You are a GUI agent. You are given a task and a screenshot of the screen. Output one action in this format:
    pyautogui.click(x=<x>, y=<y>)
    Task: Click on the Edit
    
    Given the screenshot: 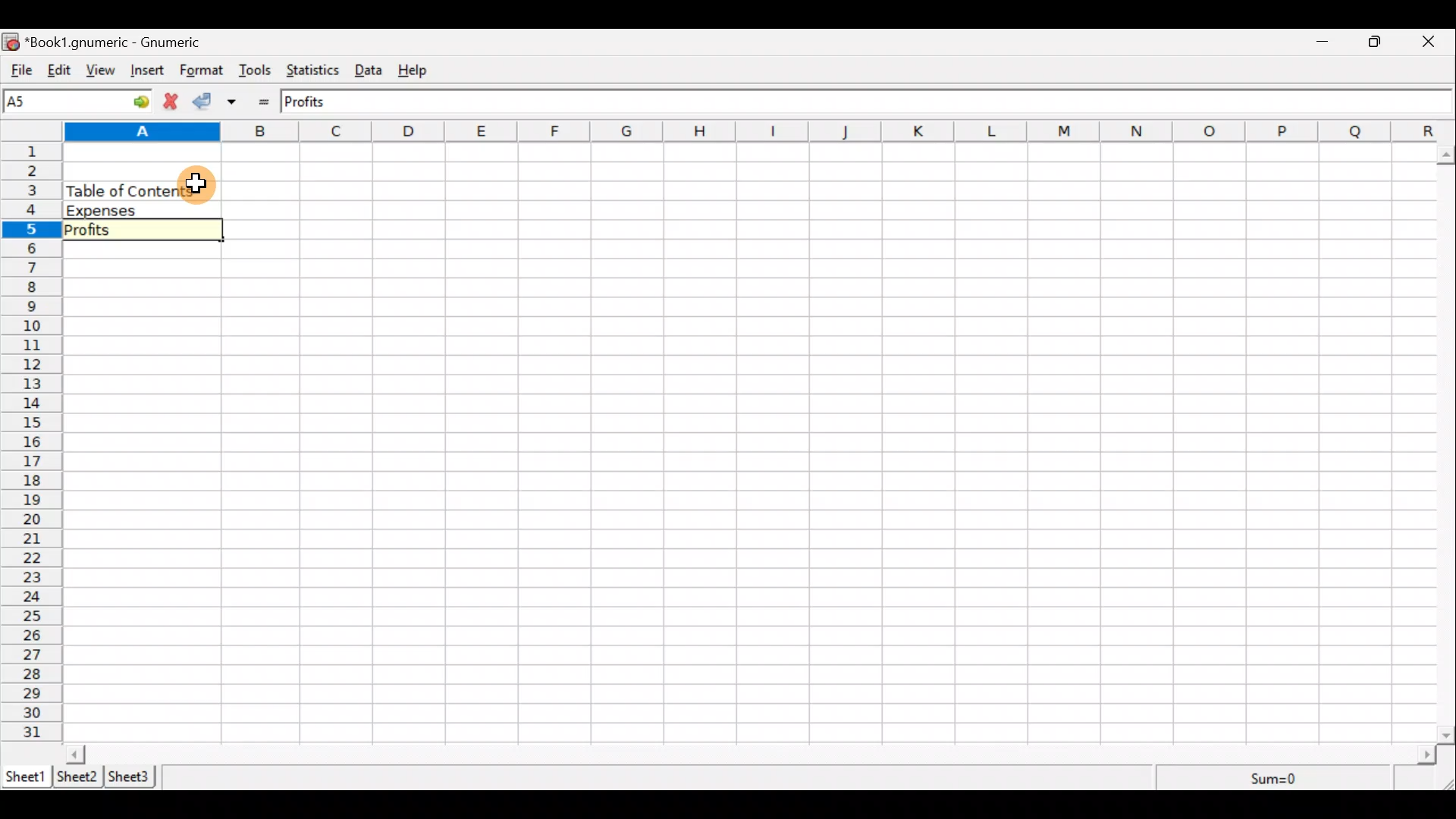 What is the action you would take?
    pyautogui.click(x=59, y=71)
    